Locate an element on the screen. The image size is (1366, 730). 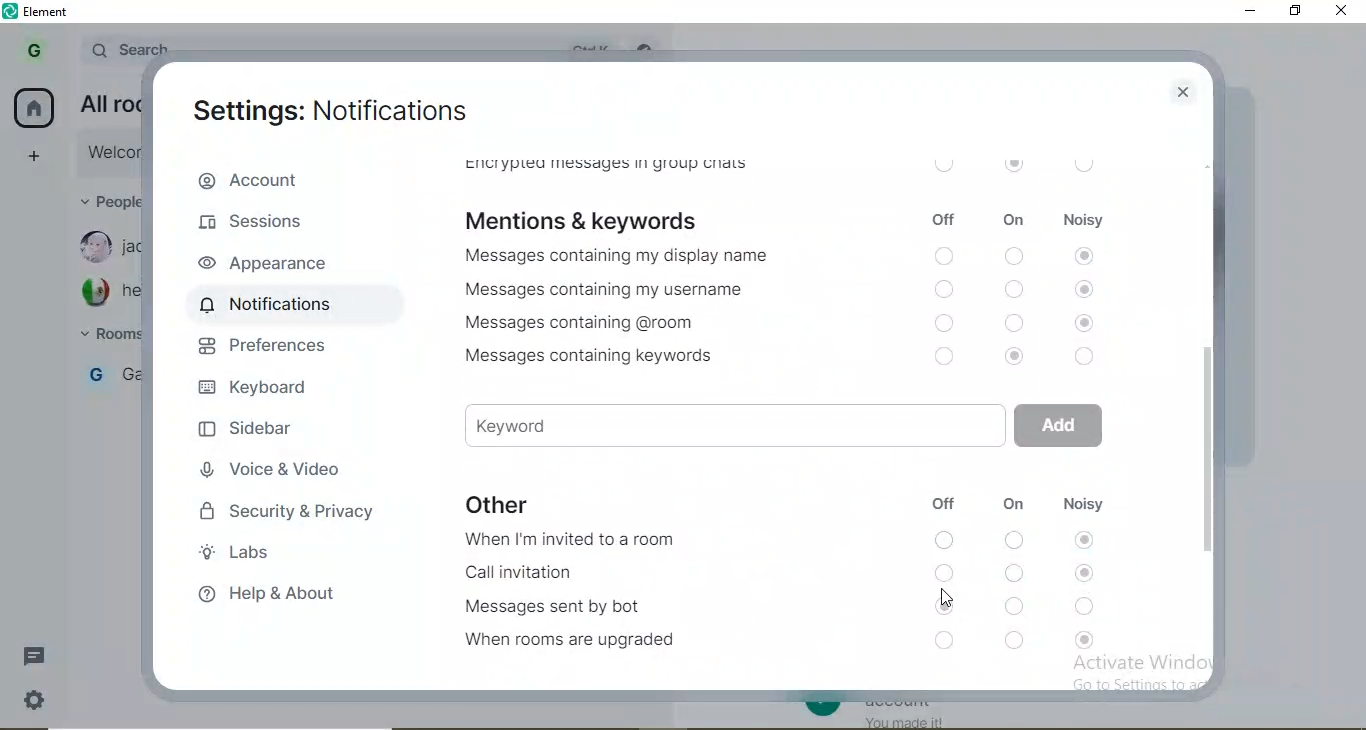
switch off is located at coordinates (1016, 290).